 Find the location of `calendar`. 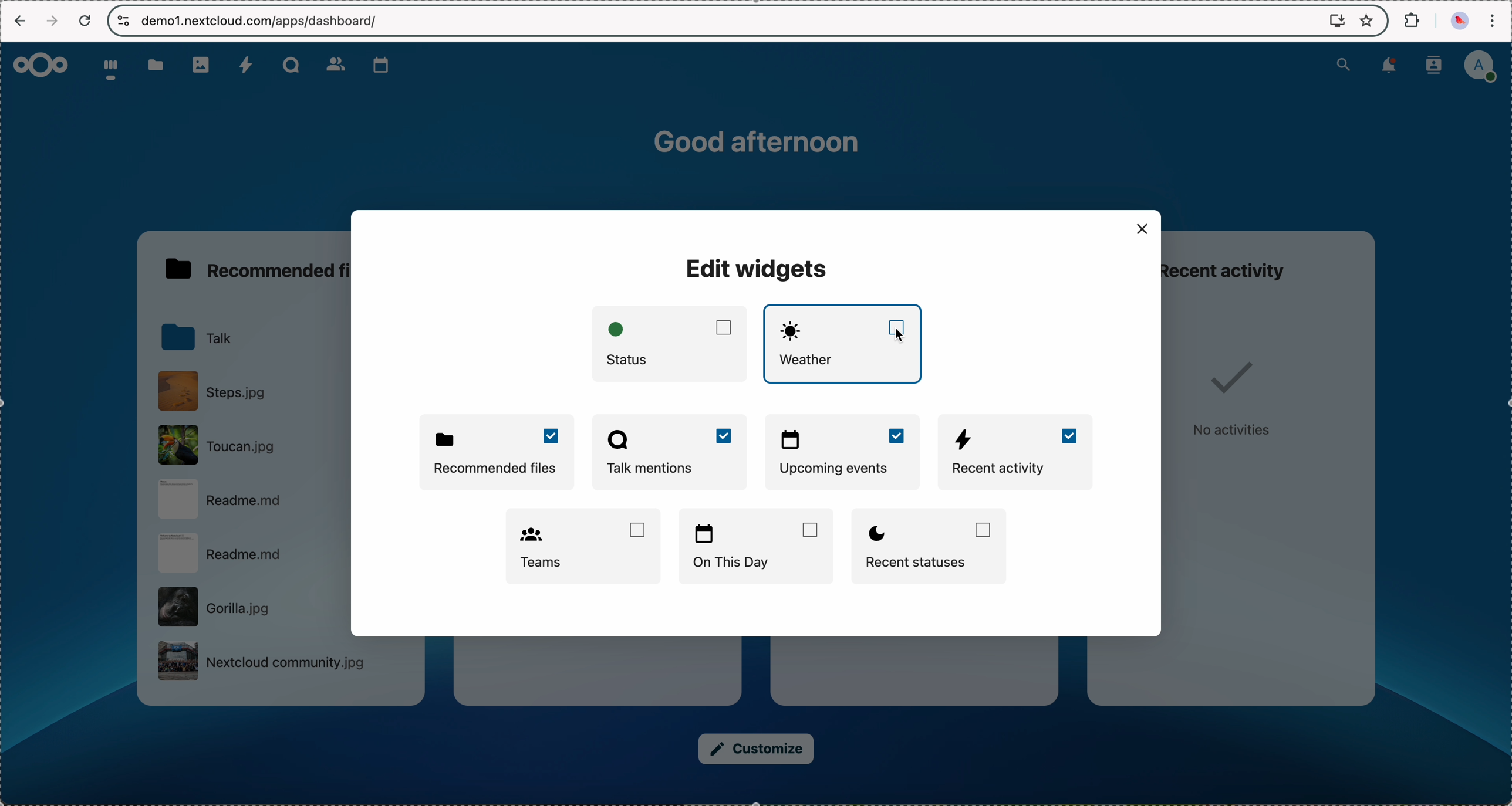

calendar is located at coordinates (381, 65).